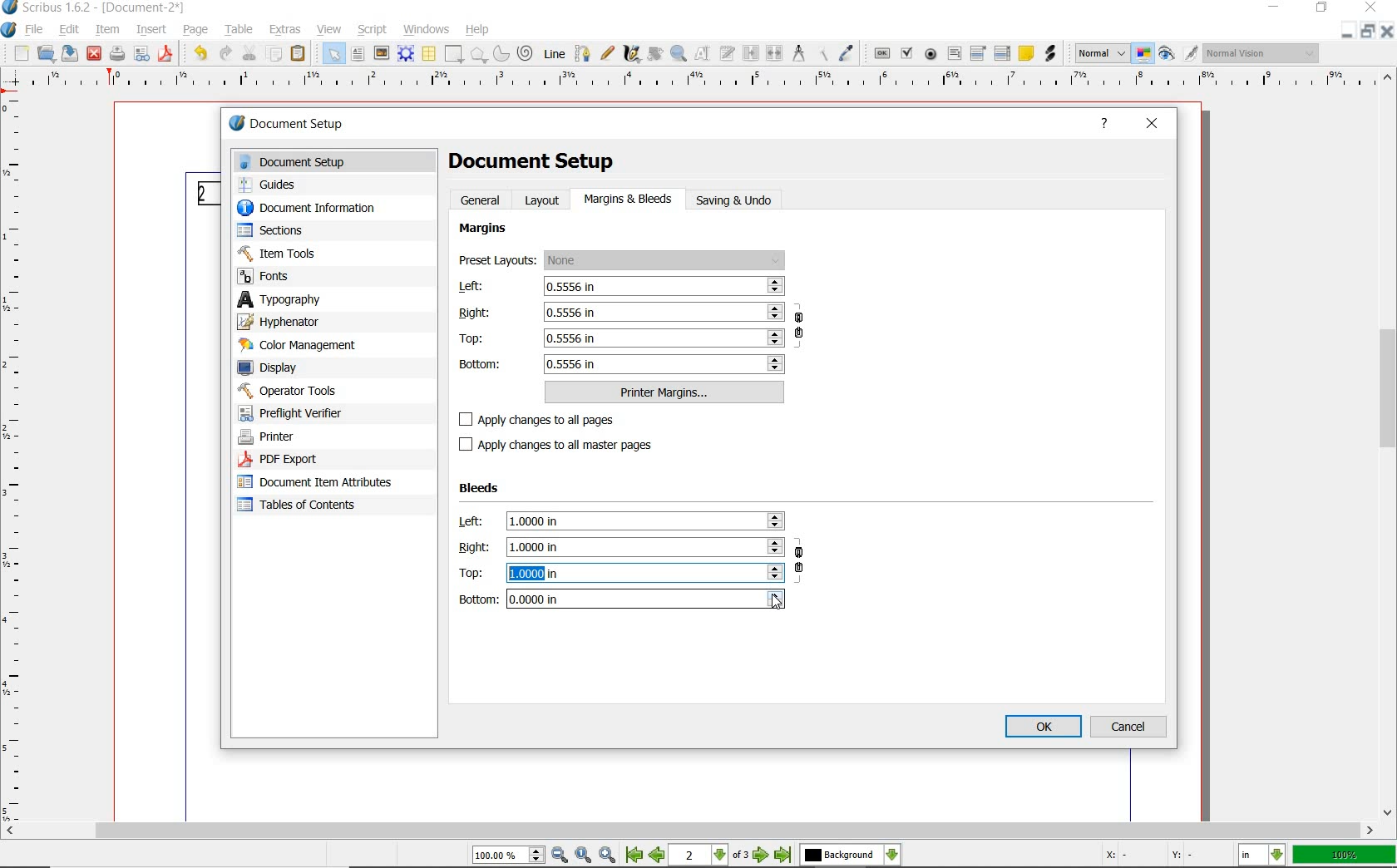  I want to click on Close, so click(1389, 34).